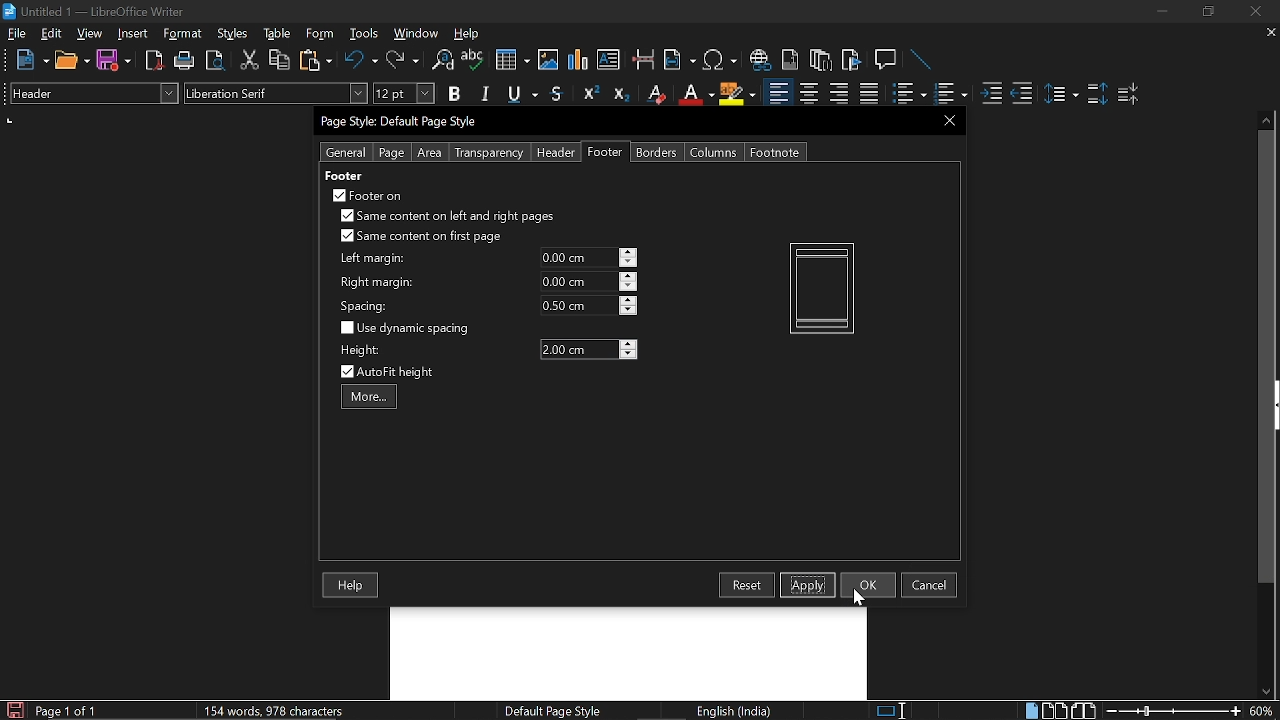 This screenshot has height=720, width=1280. Describe the element at coordinates (550, 59) in the screenshot. I see `Insert image` at that location.